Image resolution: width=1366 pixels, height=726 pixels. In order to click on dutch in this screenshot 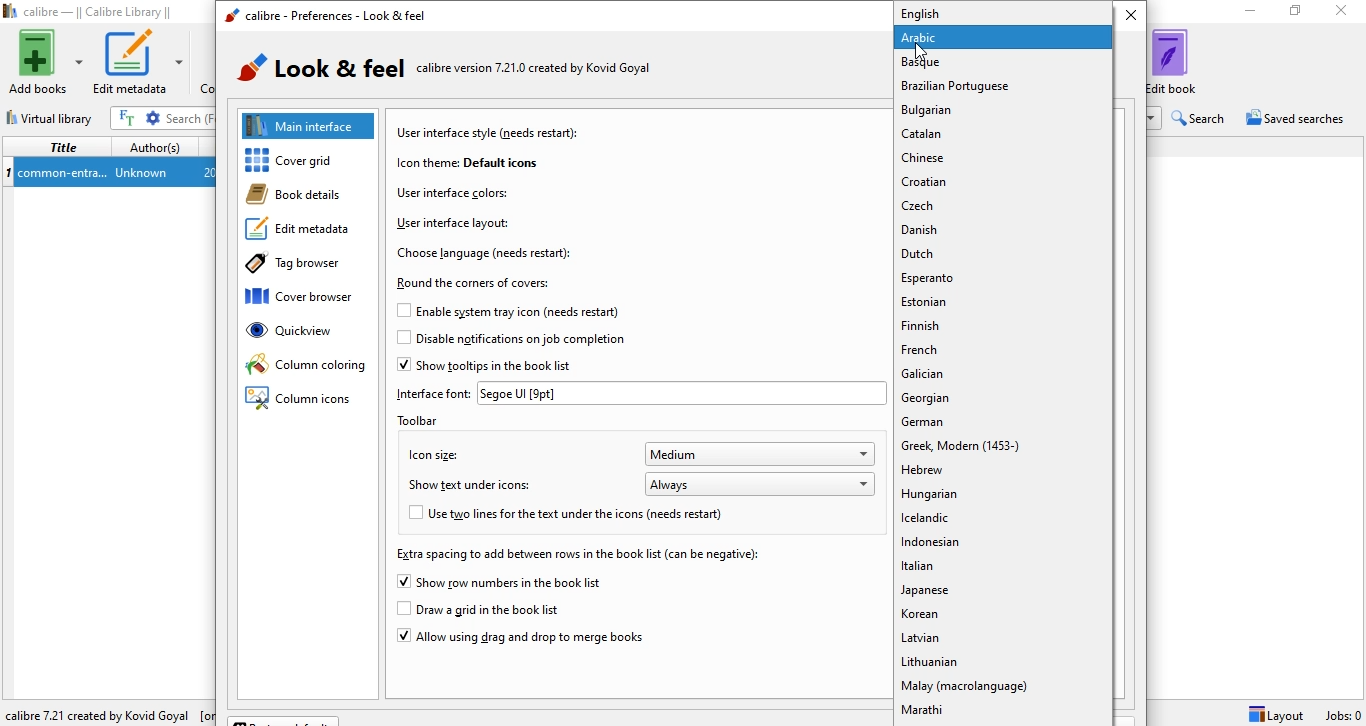, I will do `click(1005, 254)`.